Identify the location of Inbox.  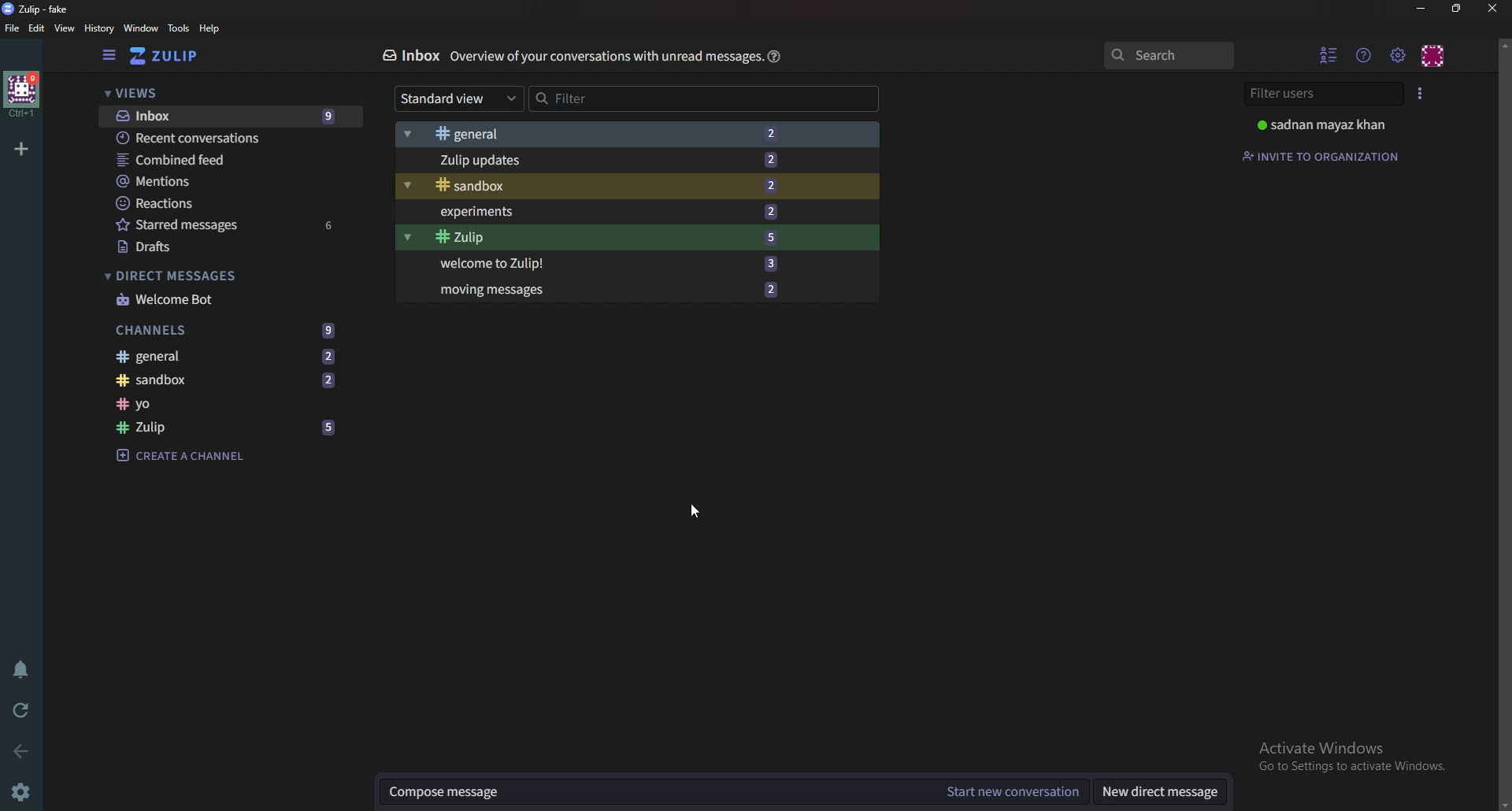
(229, 116).